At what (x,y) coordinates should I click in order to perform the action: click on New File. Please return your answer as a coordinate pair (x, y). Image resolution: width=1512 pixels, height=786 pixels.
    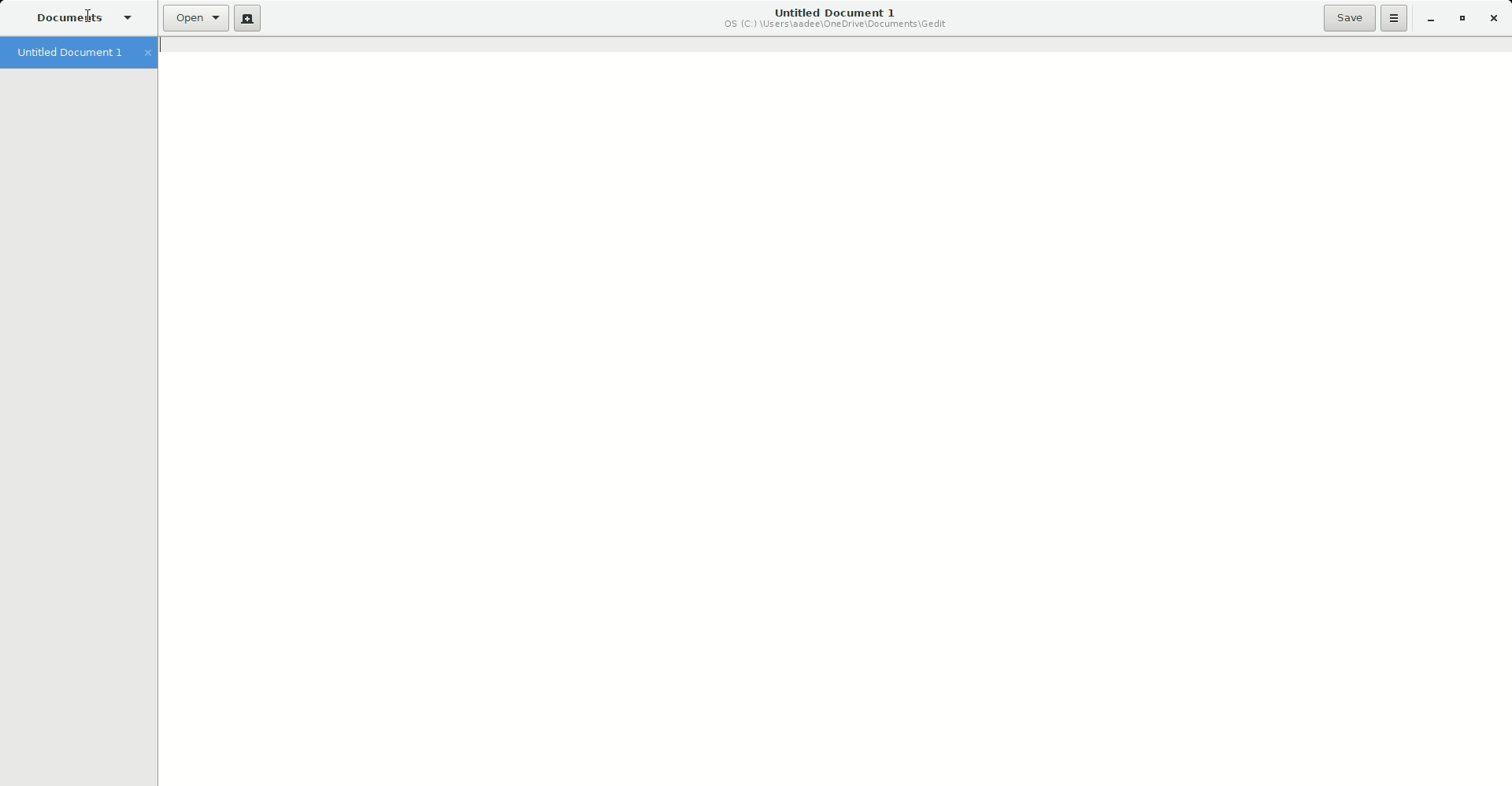
    Looking at the image, I should click on (247, 19).